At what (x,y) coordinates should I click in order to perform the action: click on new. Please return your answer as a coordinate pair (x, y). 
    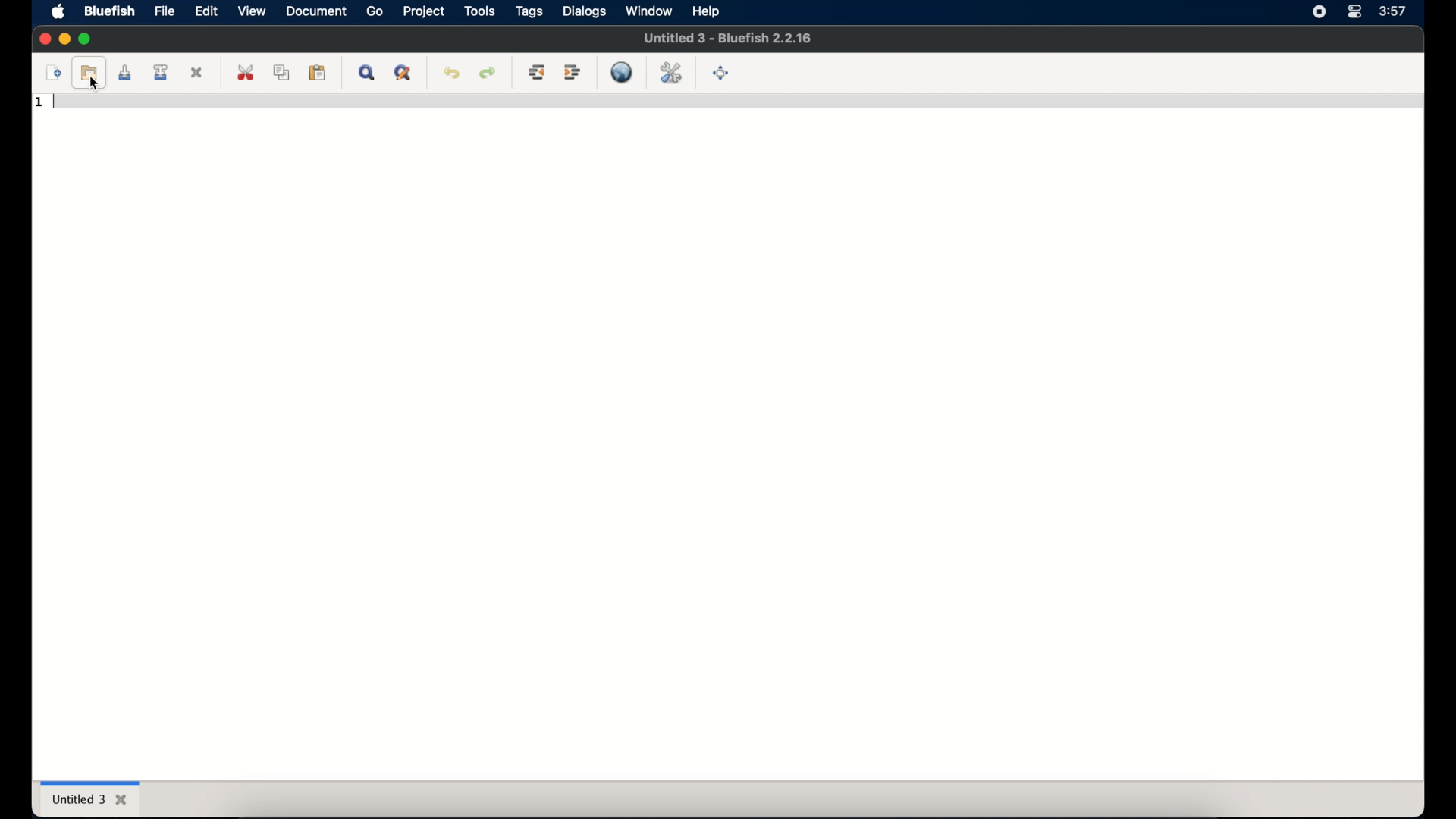
    Looking at the image, I should click on (52, 74).